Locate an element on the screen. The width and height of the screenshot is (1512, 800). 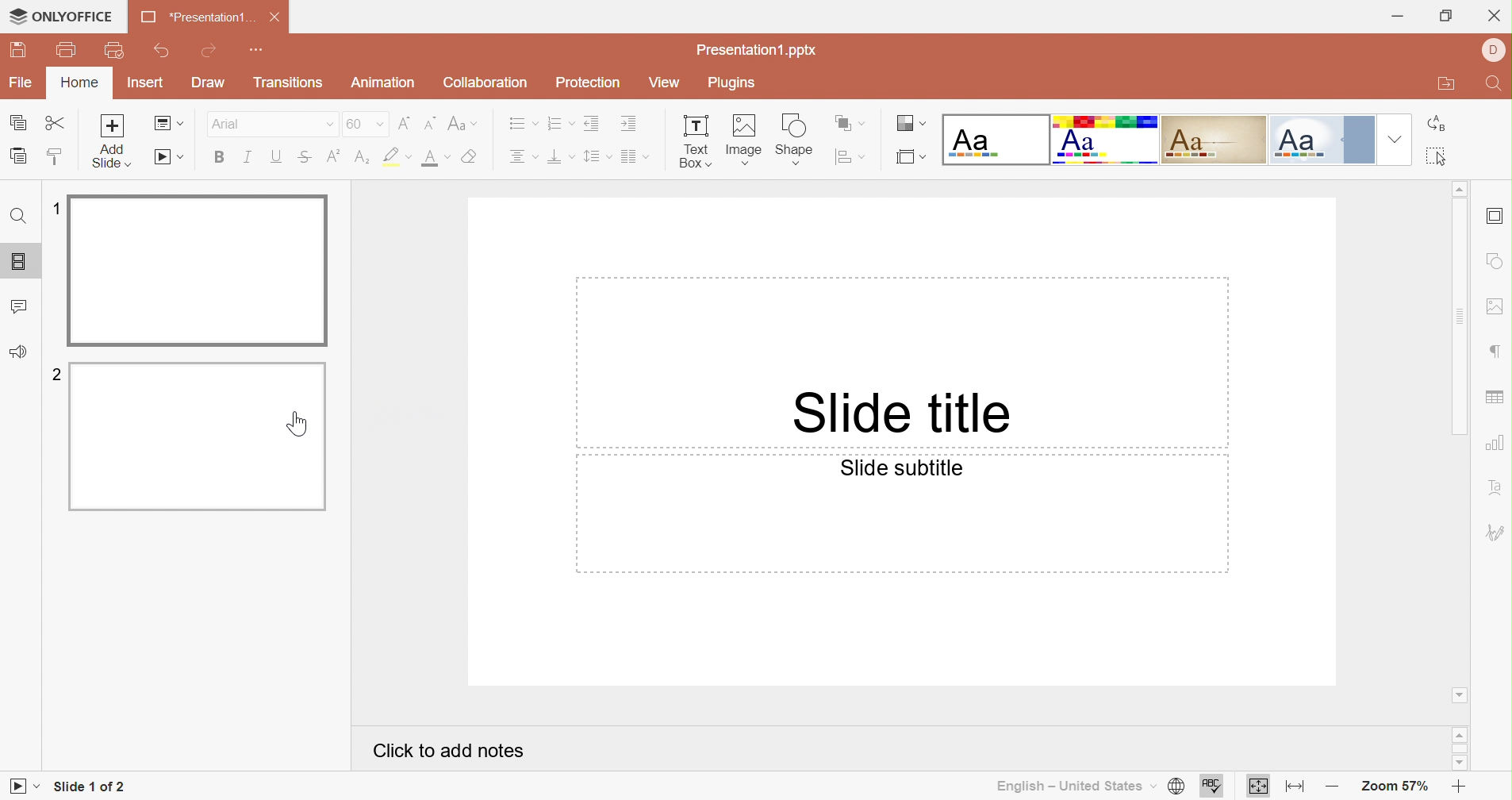
Chart settings is located at coordinates (1498, 442).